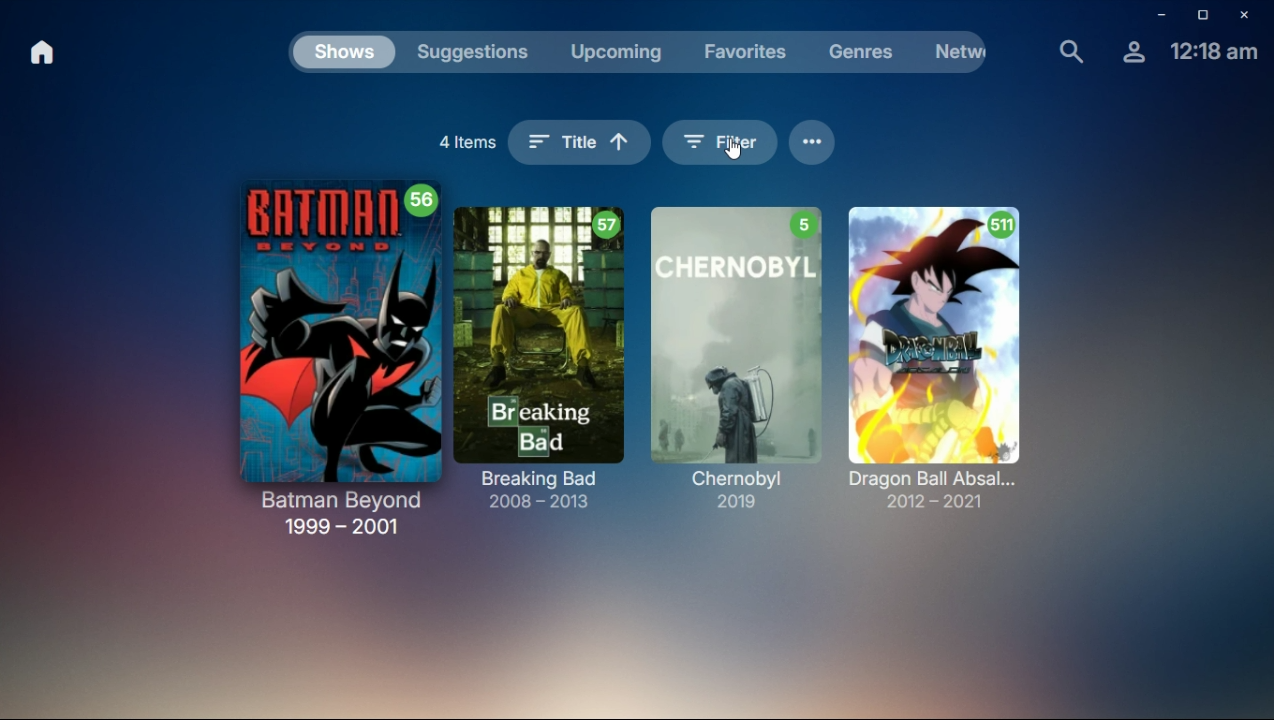 Image resolution: width=1274 pixels, height=720 pixels. What do you see at coordinates (720, 142) in the screenshot?
I see `filter` at bounding box center [720, 142].